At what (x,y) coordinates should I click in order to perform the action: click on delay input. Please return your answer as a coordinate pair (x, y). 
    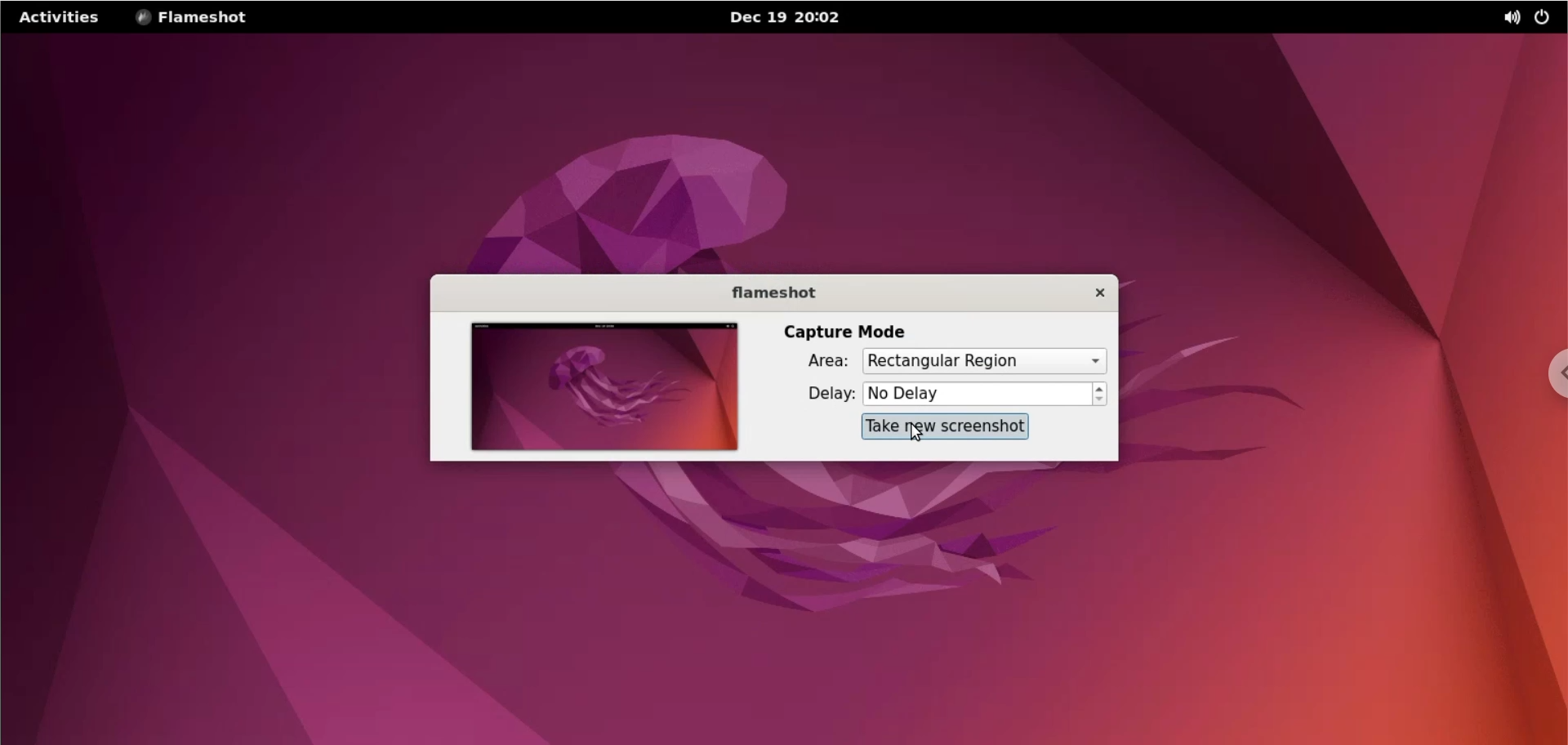
    Looking at the image, I should click on (976, 395).